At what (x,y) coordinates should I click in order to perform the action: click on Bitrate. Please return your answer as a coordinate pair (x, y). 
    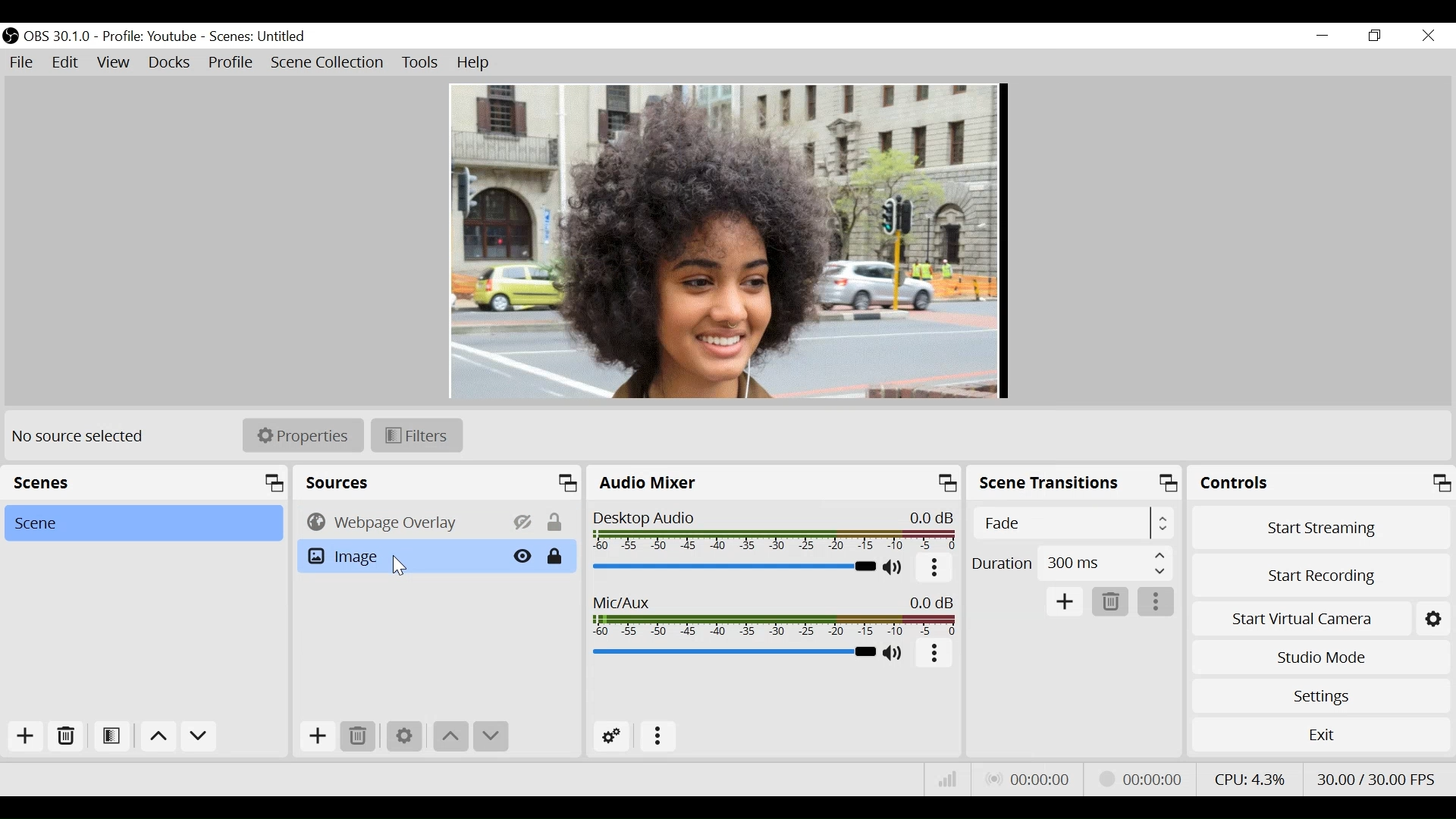
    Looking at the image, I should click on (949, 778).